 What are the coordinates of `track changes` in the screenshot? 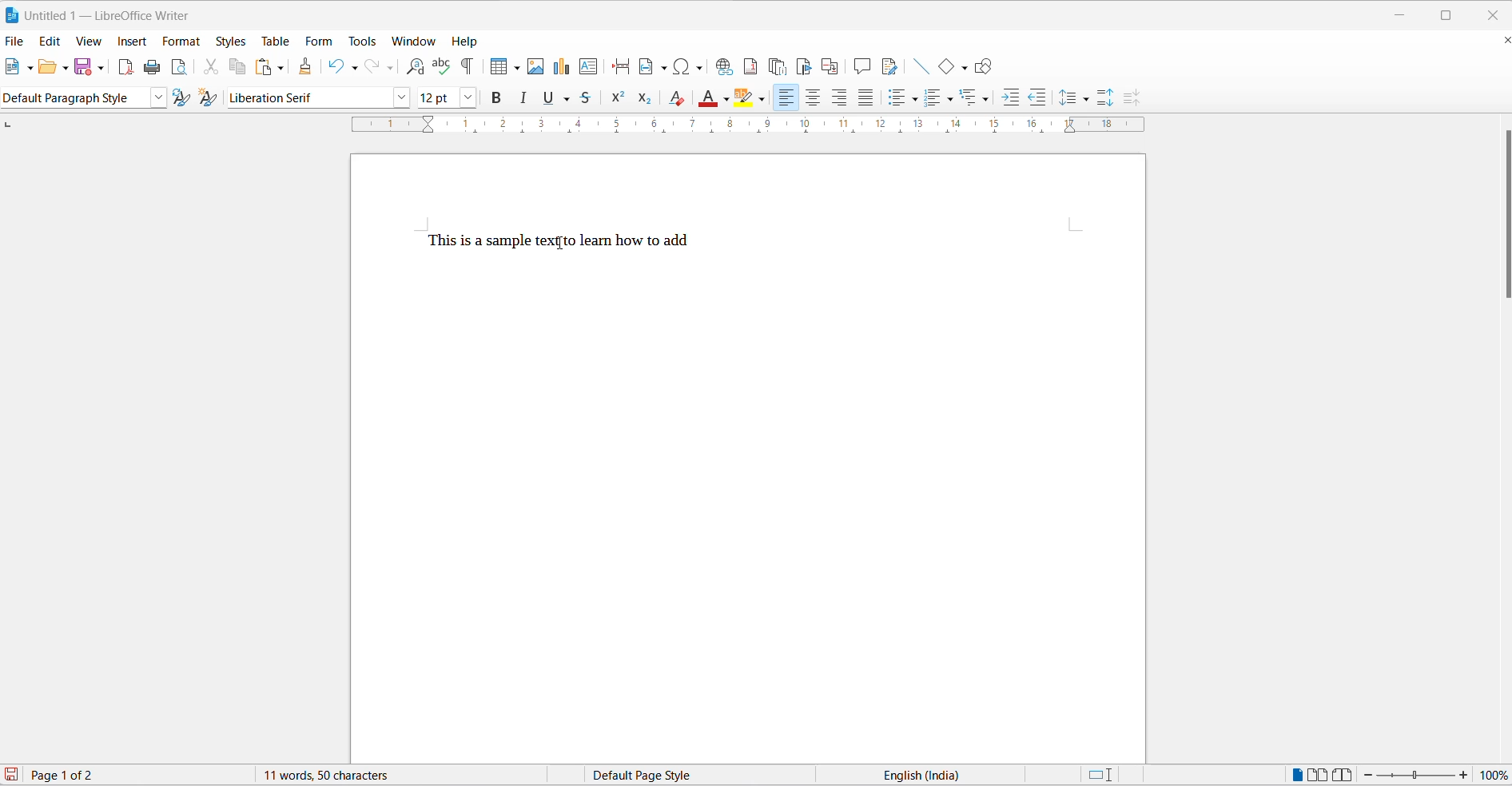 It's located at (891, 68).